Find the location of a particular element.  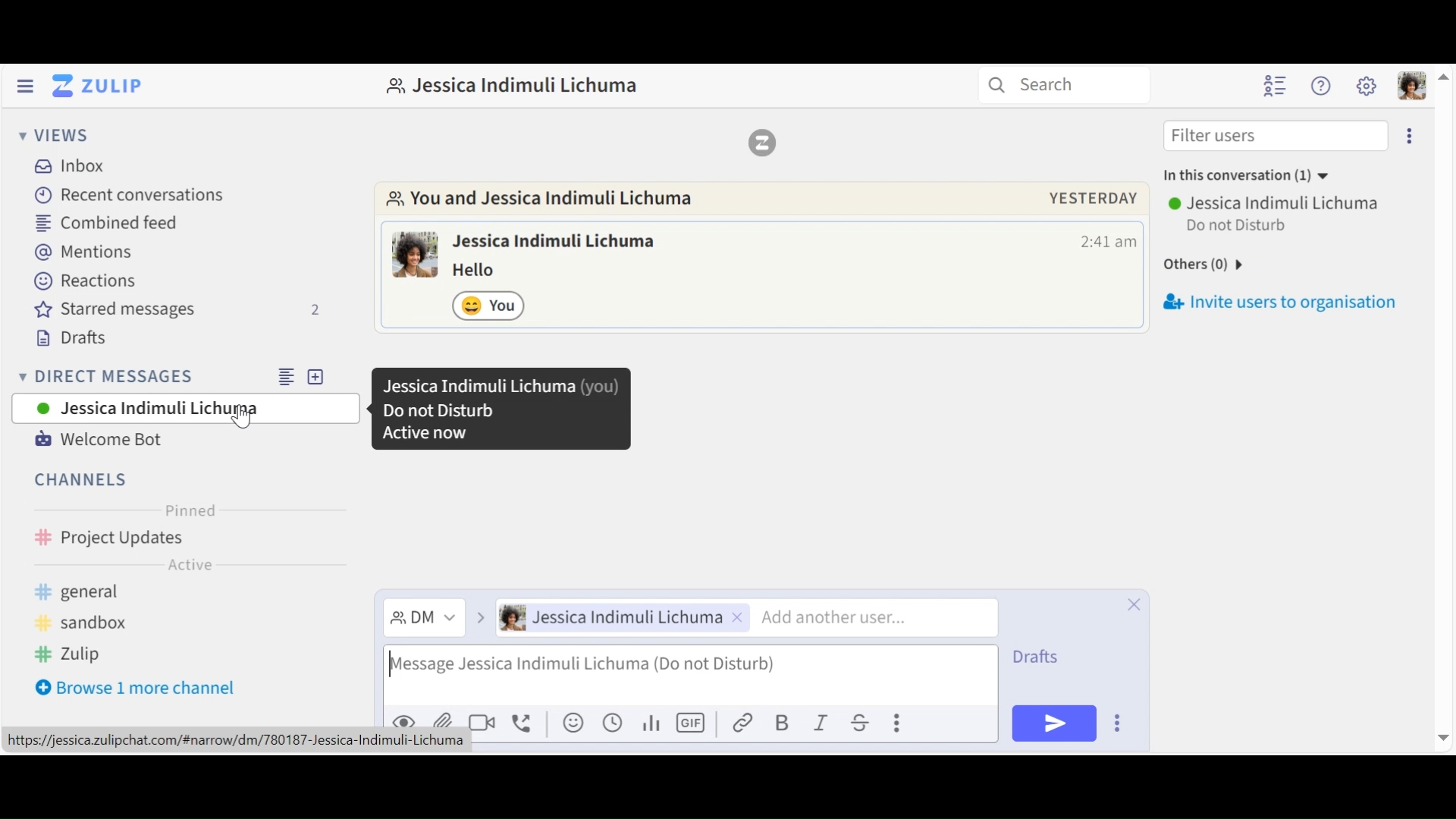

User is located at coordinates (185, 408).